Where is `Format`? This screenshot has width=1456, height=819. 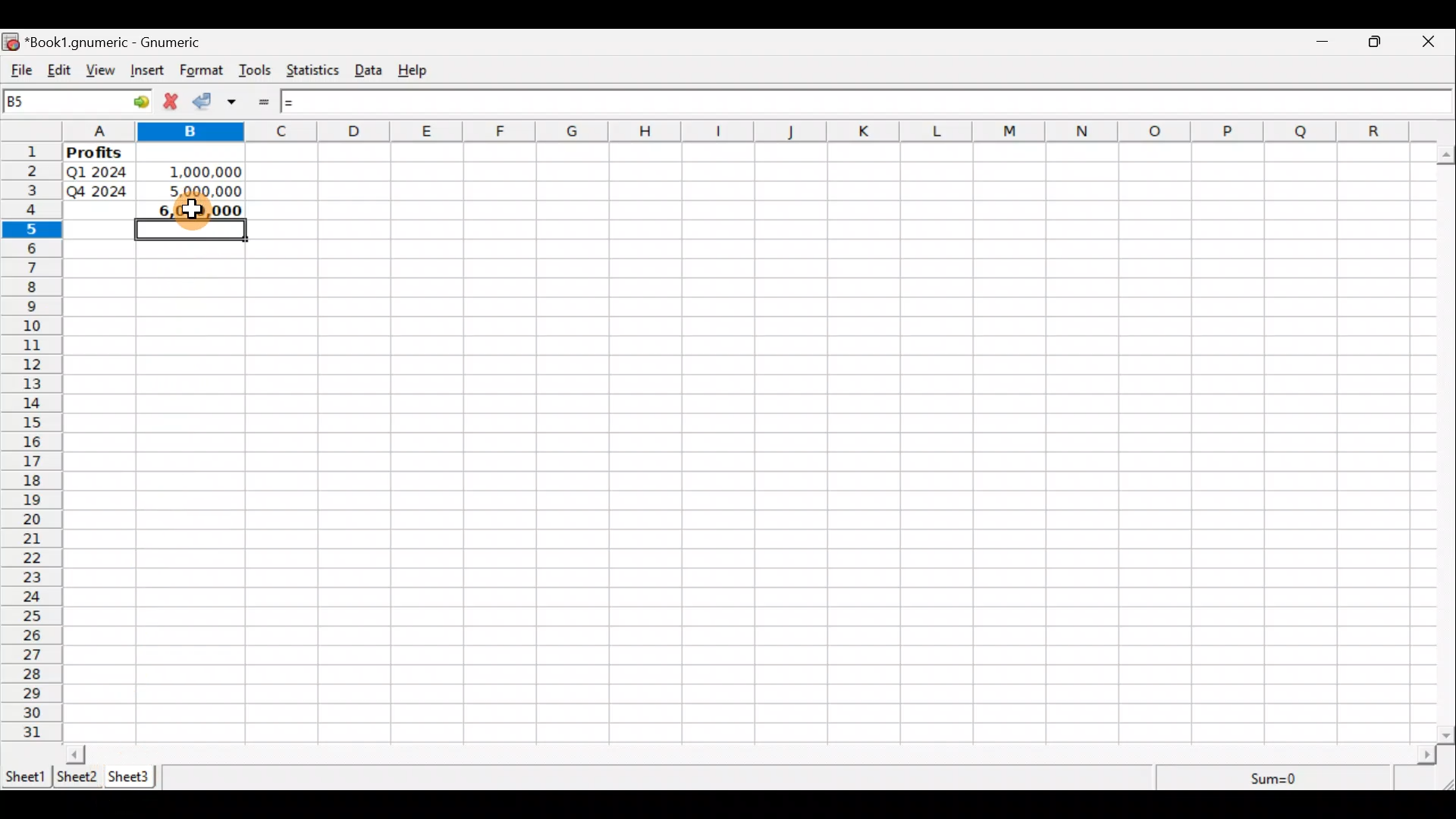 Format is located at coordinates (202, 71).